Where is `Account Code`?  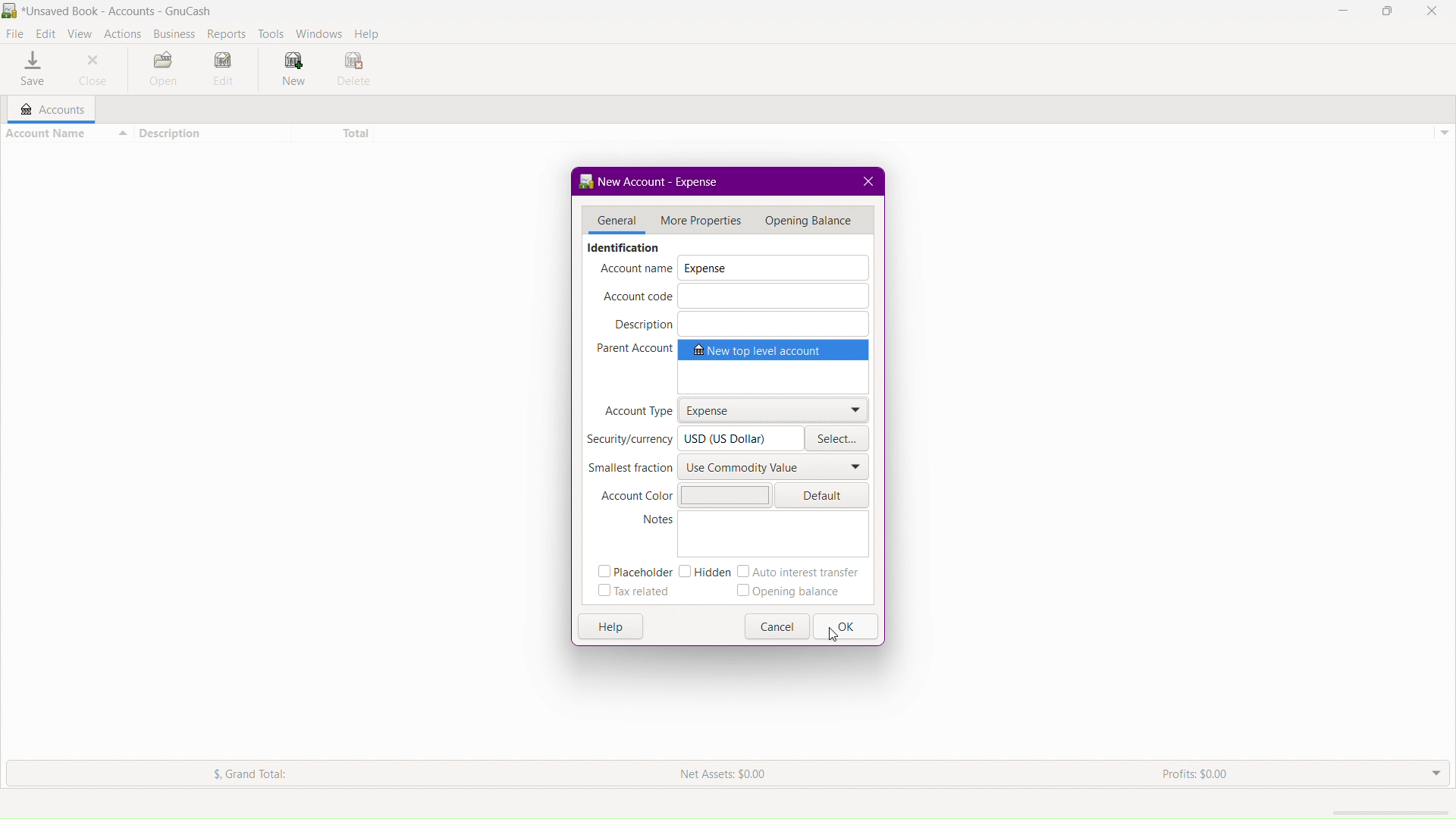
Account Code is located at coordinates (736, 297).